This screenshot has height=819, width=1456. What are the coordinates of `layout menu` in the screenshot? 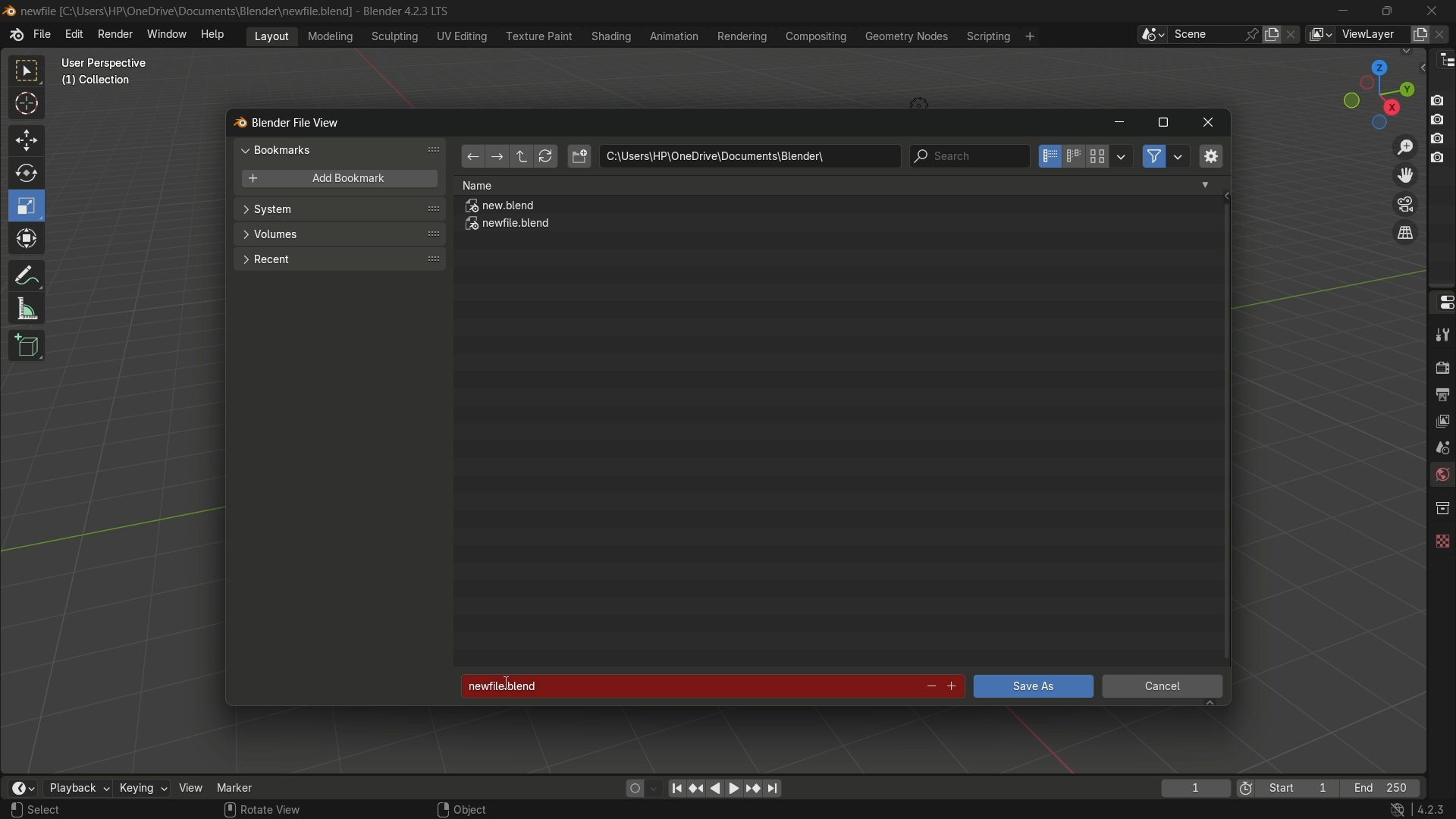 It's located at (271, 35).